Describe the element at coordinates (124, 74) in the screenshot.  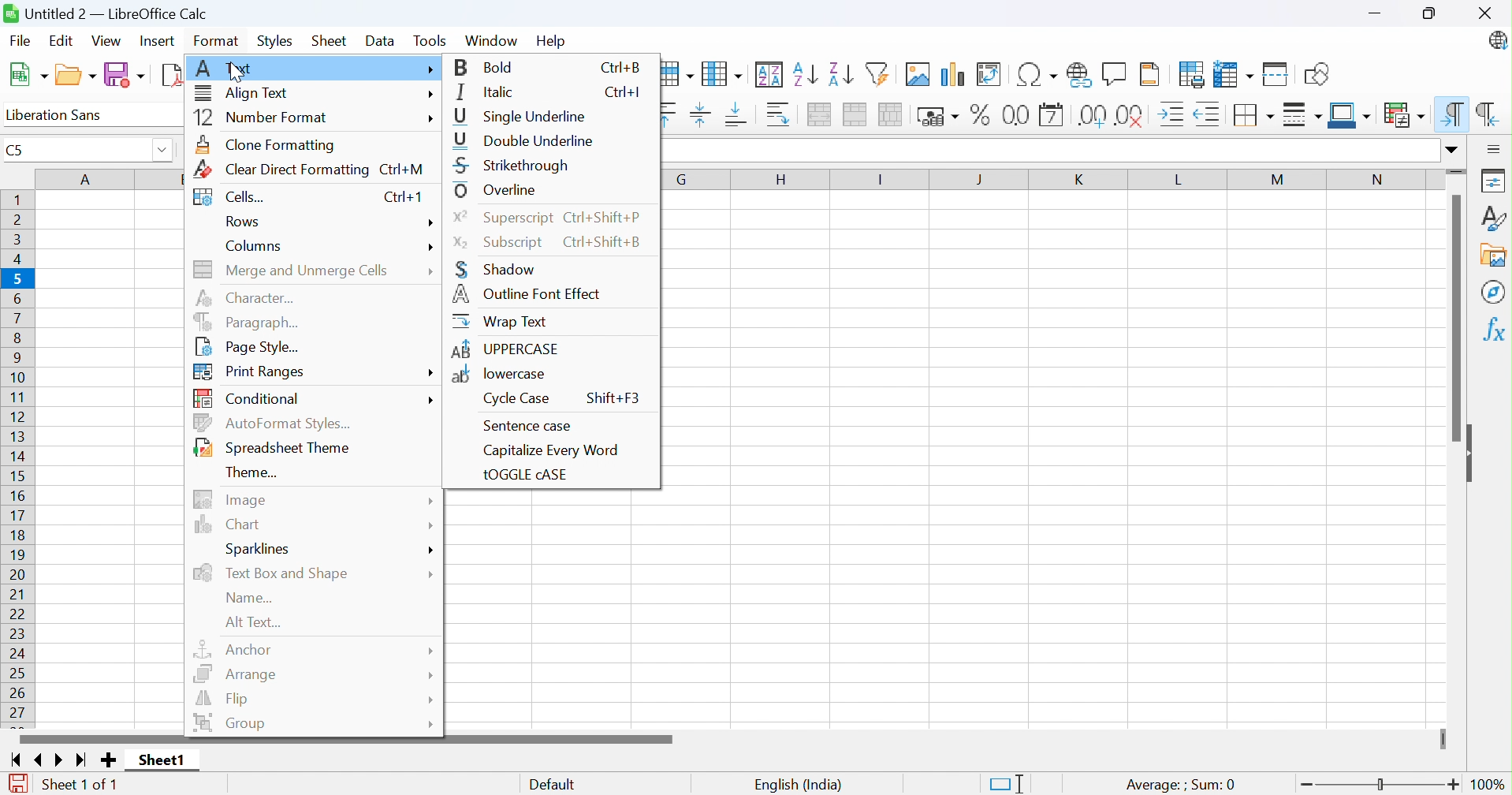
I see `Save` at that location.